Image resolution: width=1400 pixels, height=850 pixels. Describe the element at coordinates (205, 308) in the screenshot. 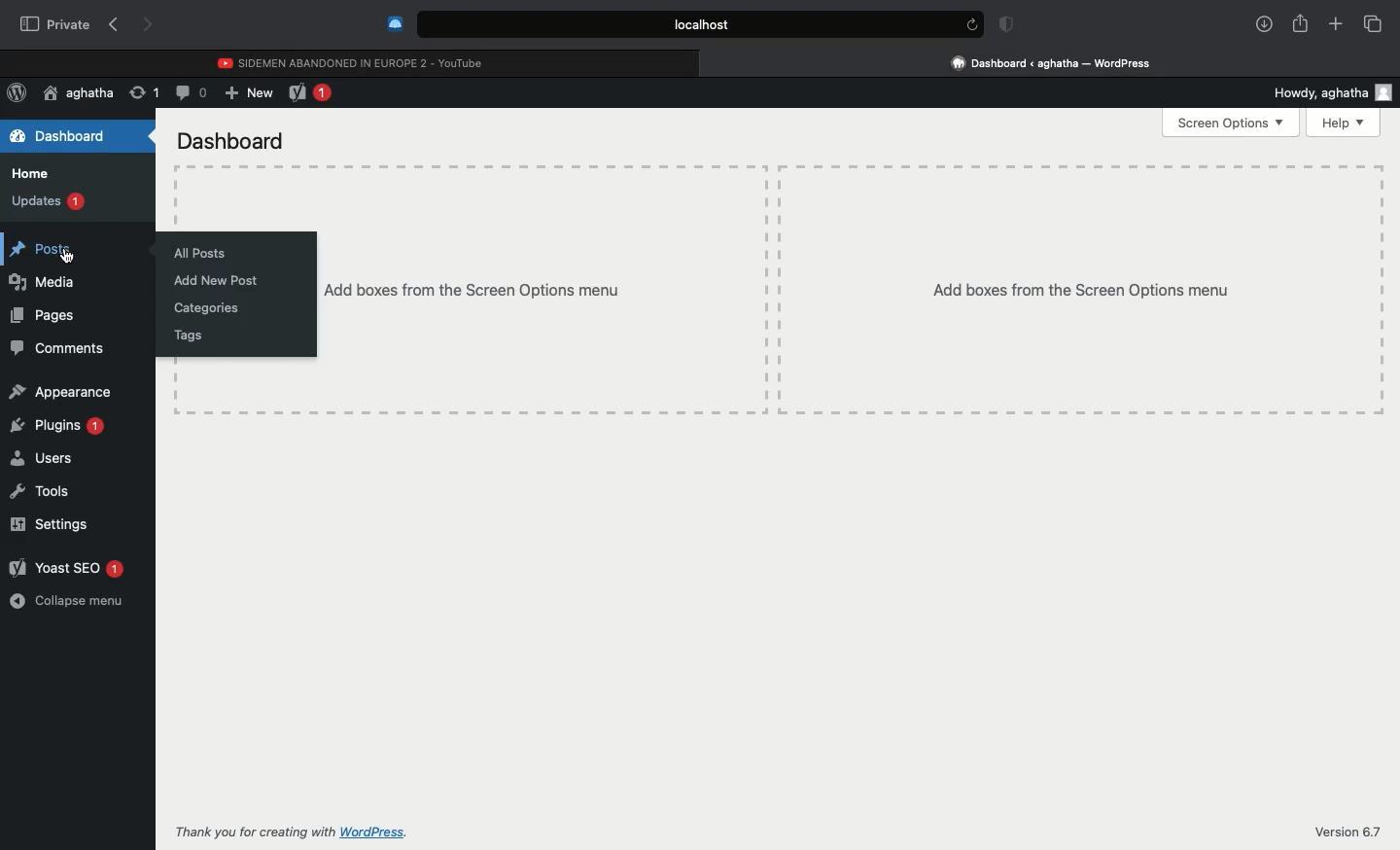

I see `Categories` at that location.